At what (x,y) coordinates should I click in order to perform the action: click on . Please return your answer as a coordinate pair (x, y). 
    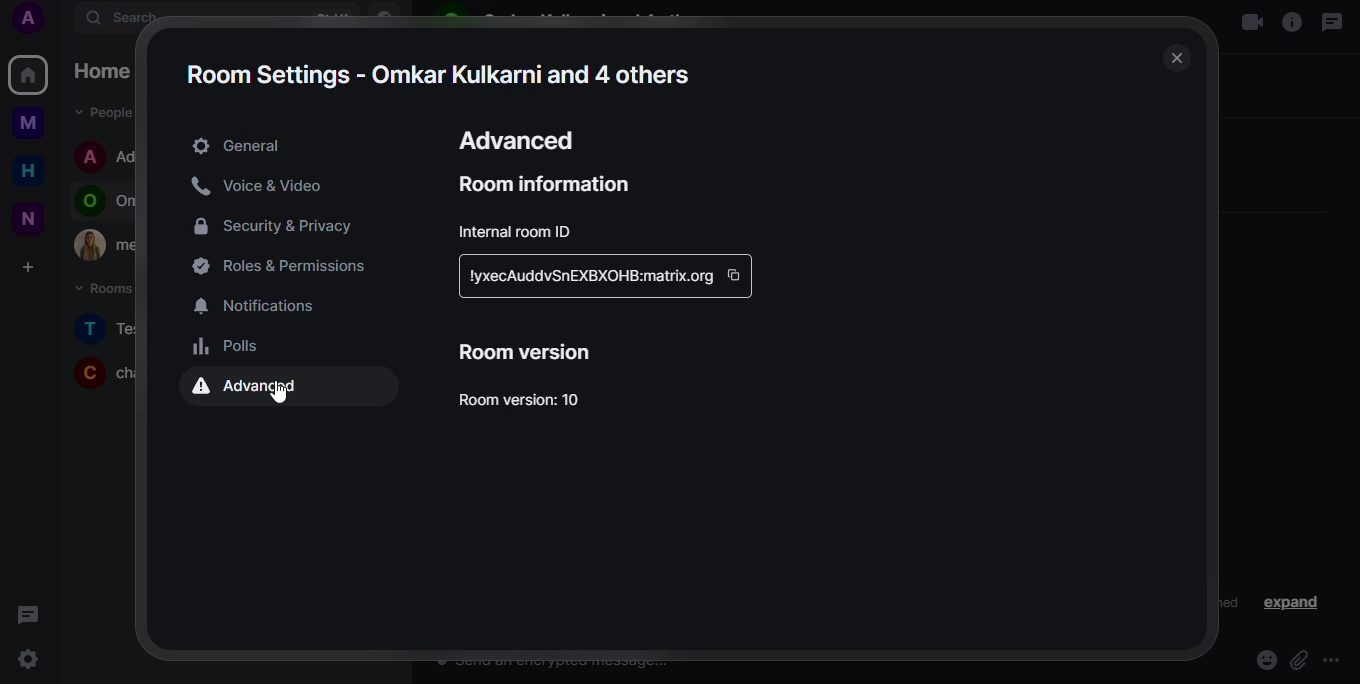
    Looking at the image, I should click on (36, 125).